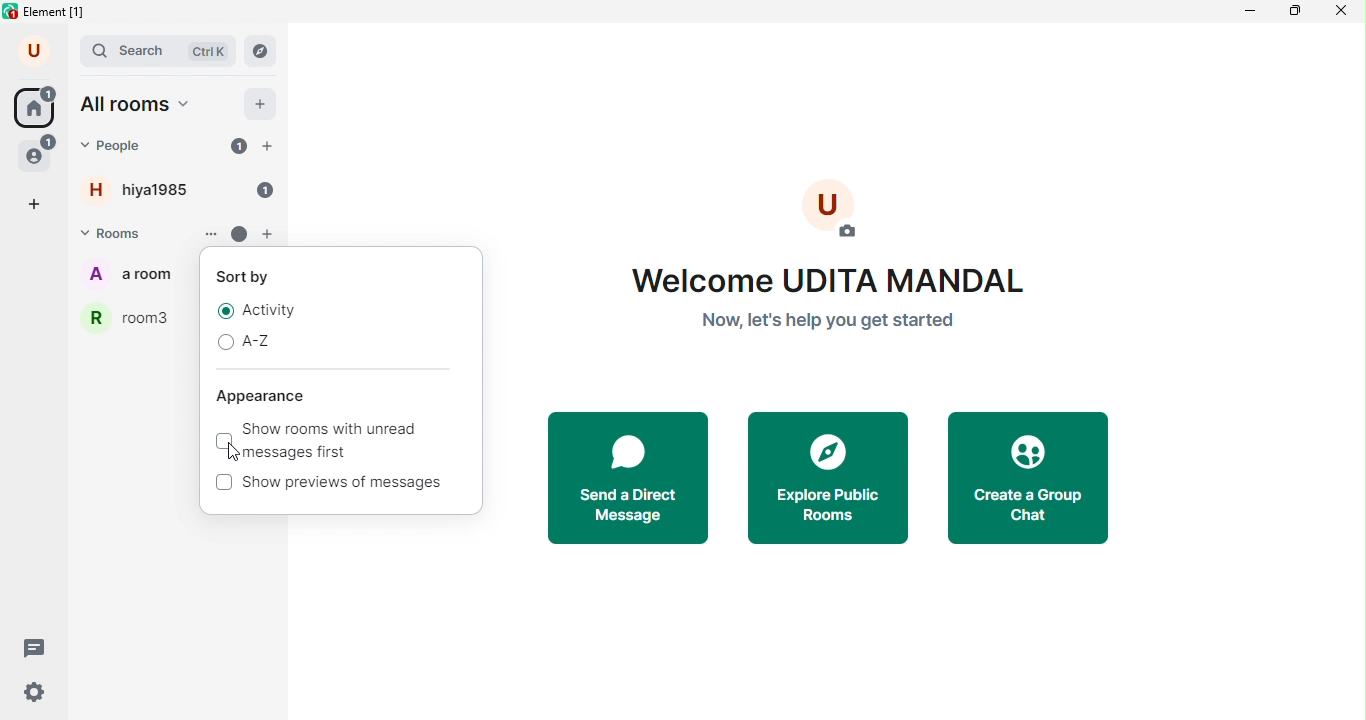 This screenshot has height=720, width=1366. Describe the element at coordinates (121, 147) in the screenshot. I see `people` at that location.